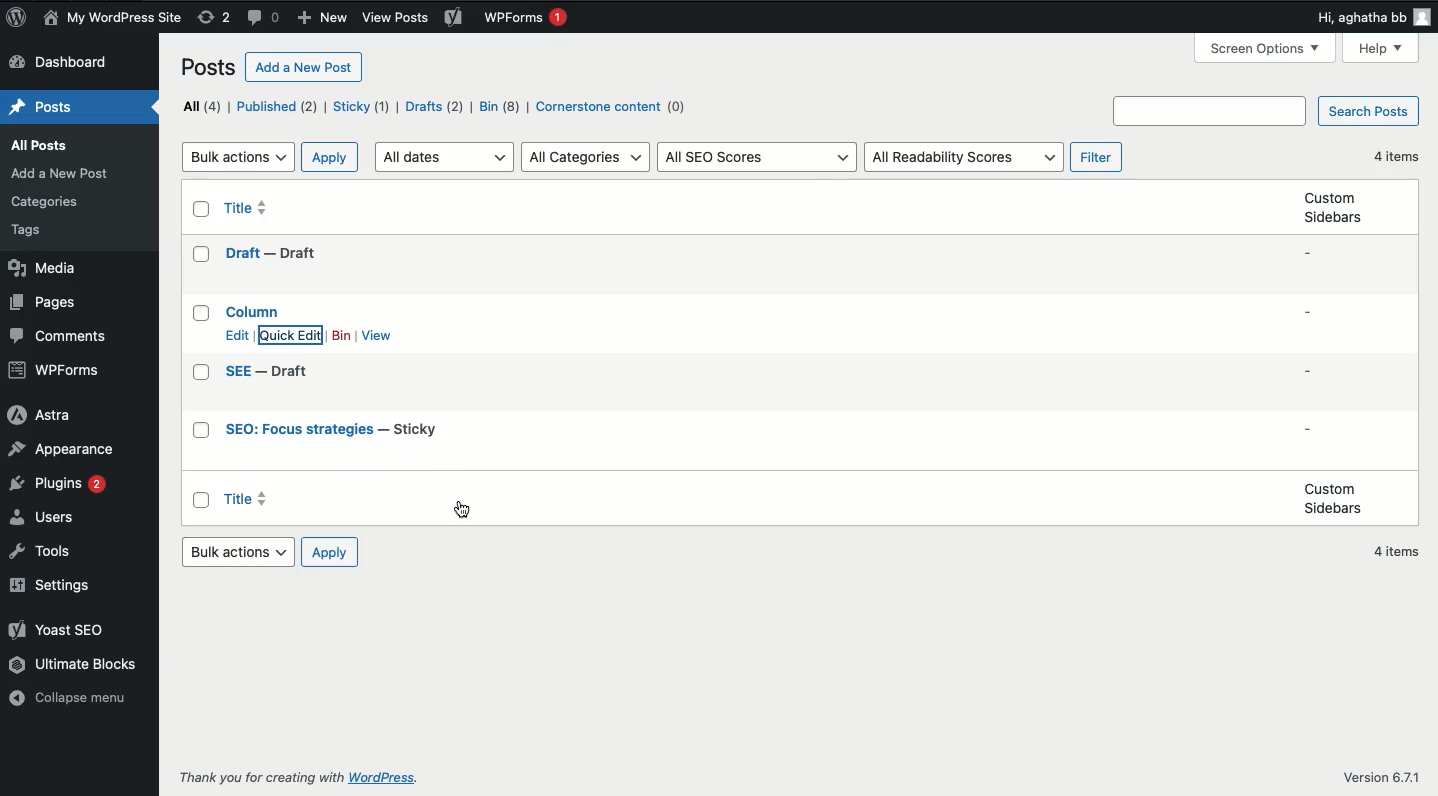  Describe the element at coordinates (44, 204) in the screenshot. I see `` at that location.